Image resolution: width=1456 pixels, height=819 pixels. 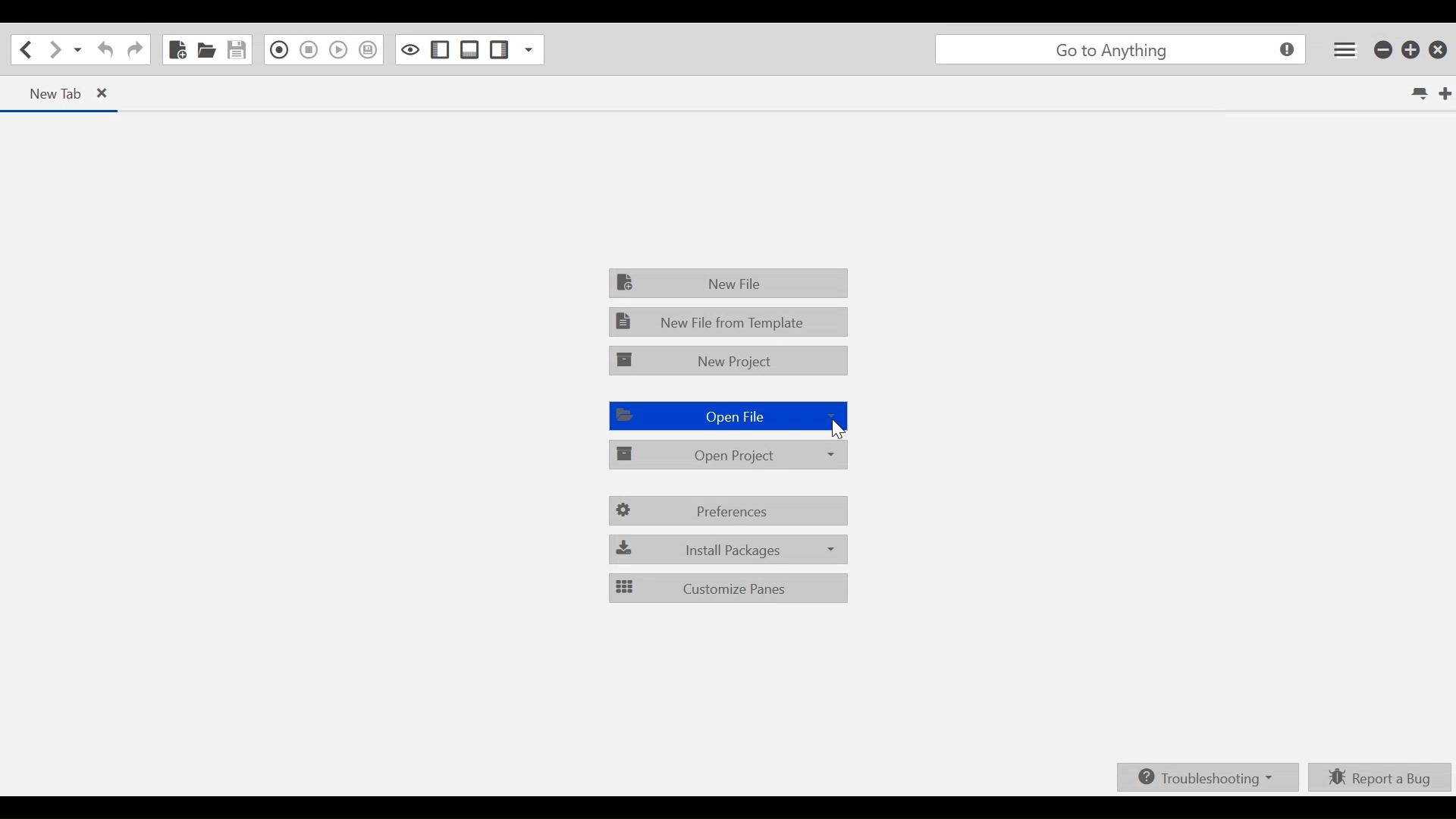 What do you see at coordinates (438, 50) in the screenshot?
I see `Show/Hide Left pane` at bounding box center [438, 50].